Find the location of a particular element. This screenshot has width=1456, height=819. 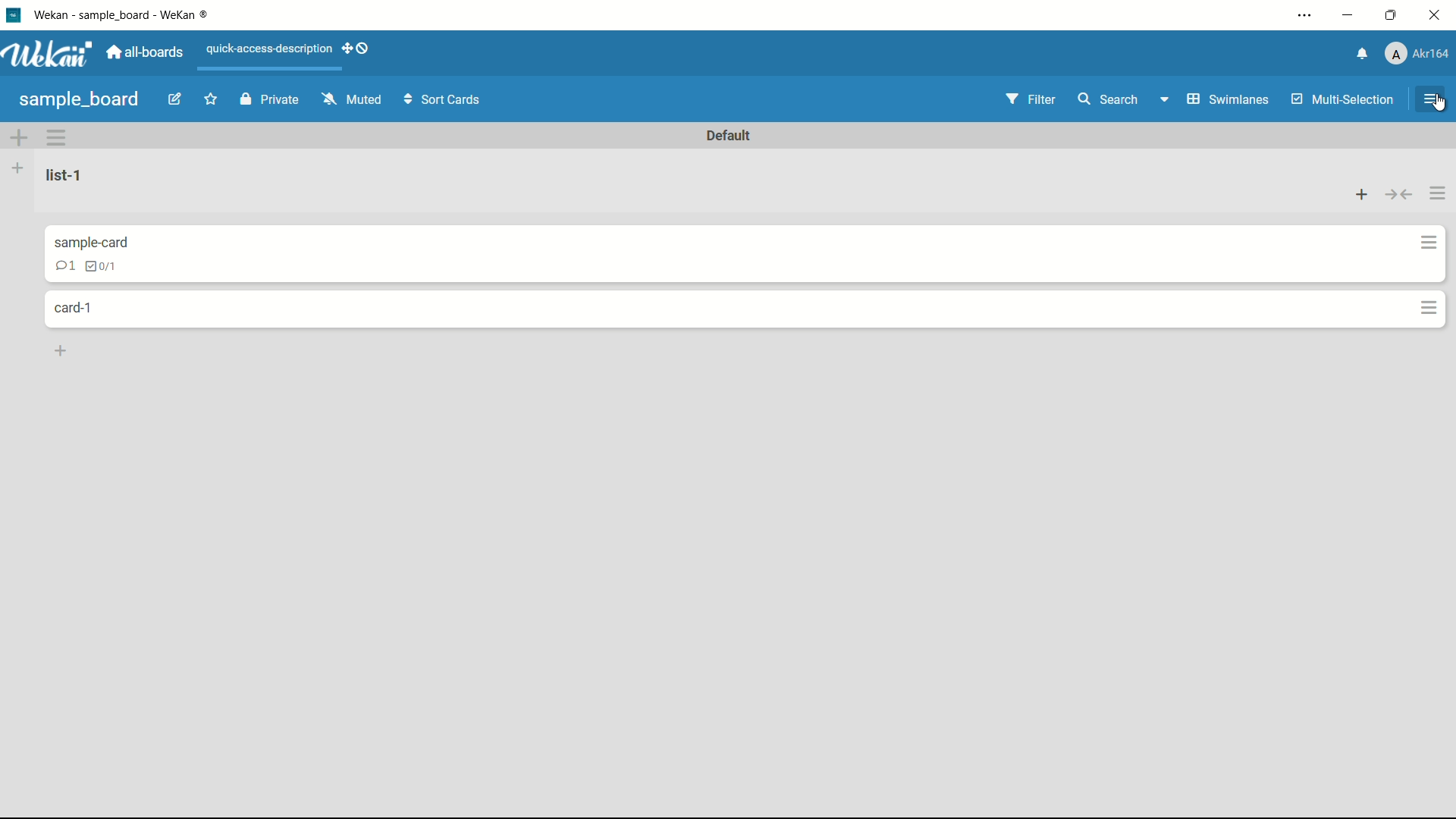

settings and more is located at coordinates (1305, 16).